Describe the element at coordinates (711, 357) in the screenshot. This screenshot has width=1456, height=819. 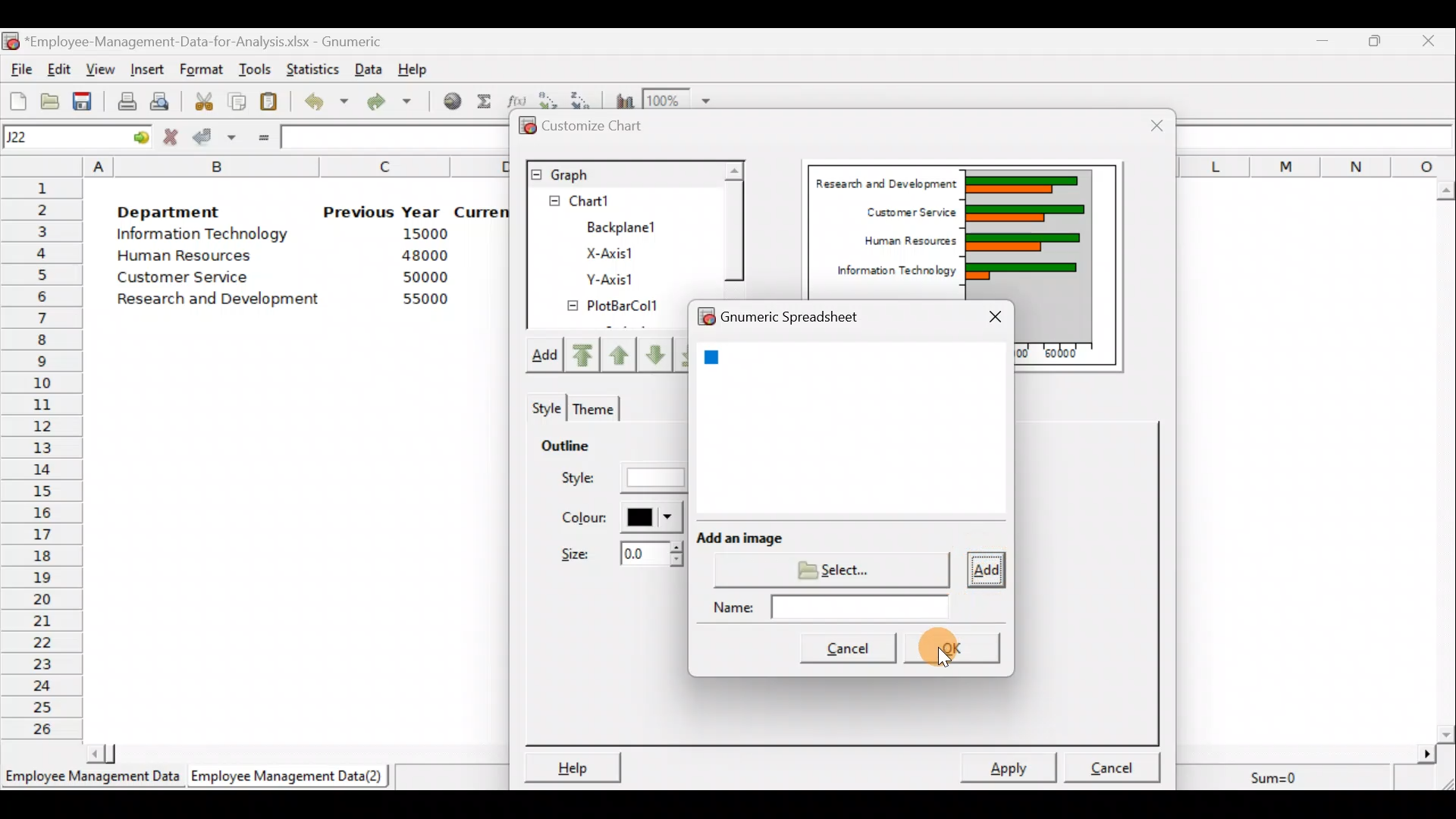
I see `blue square` at that location.